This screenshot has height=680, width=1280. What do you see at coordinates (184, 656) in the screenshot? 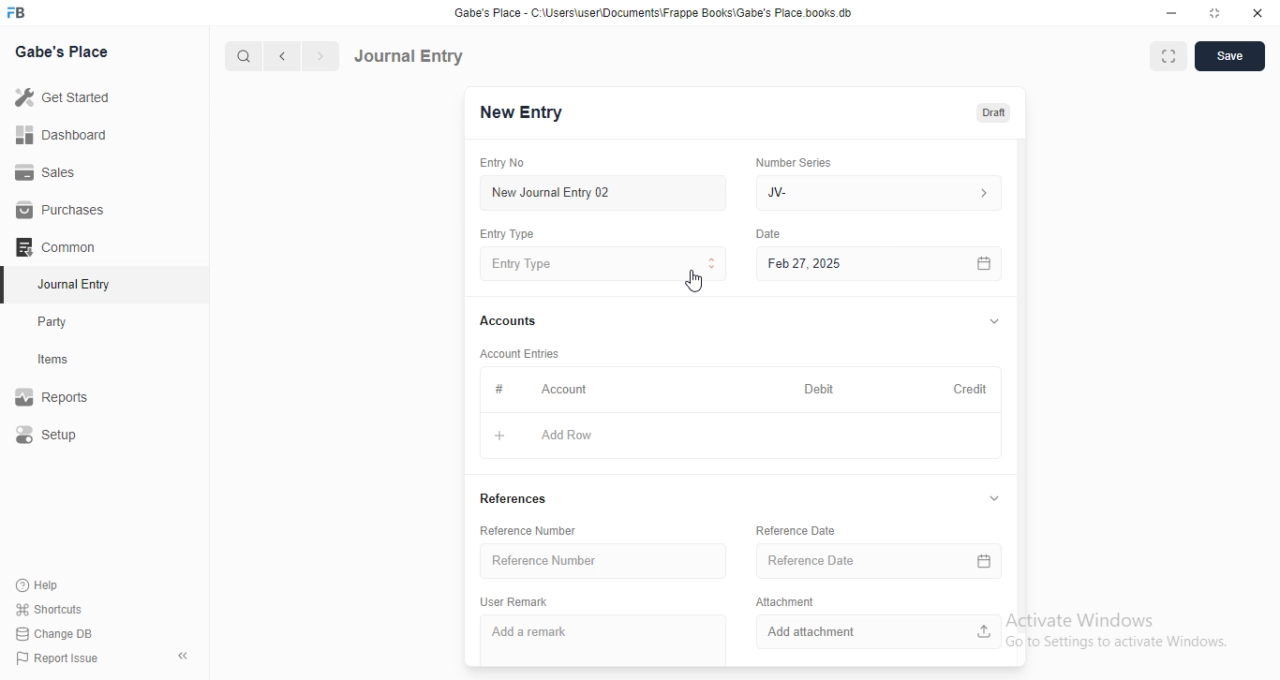
I see `Collapse` at bounding box center [184, 656].